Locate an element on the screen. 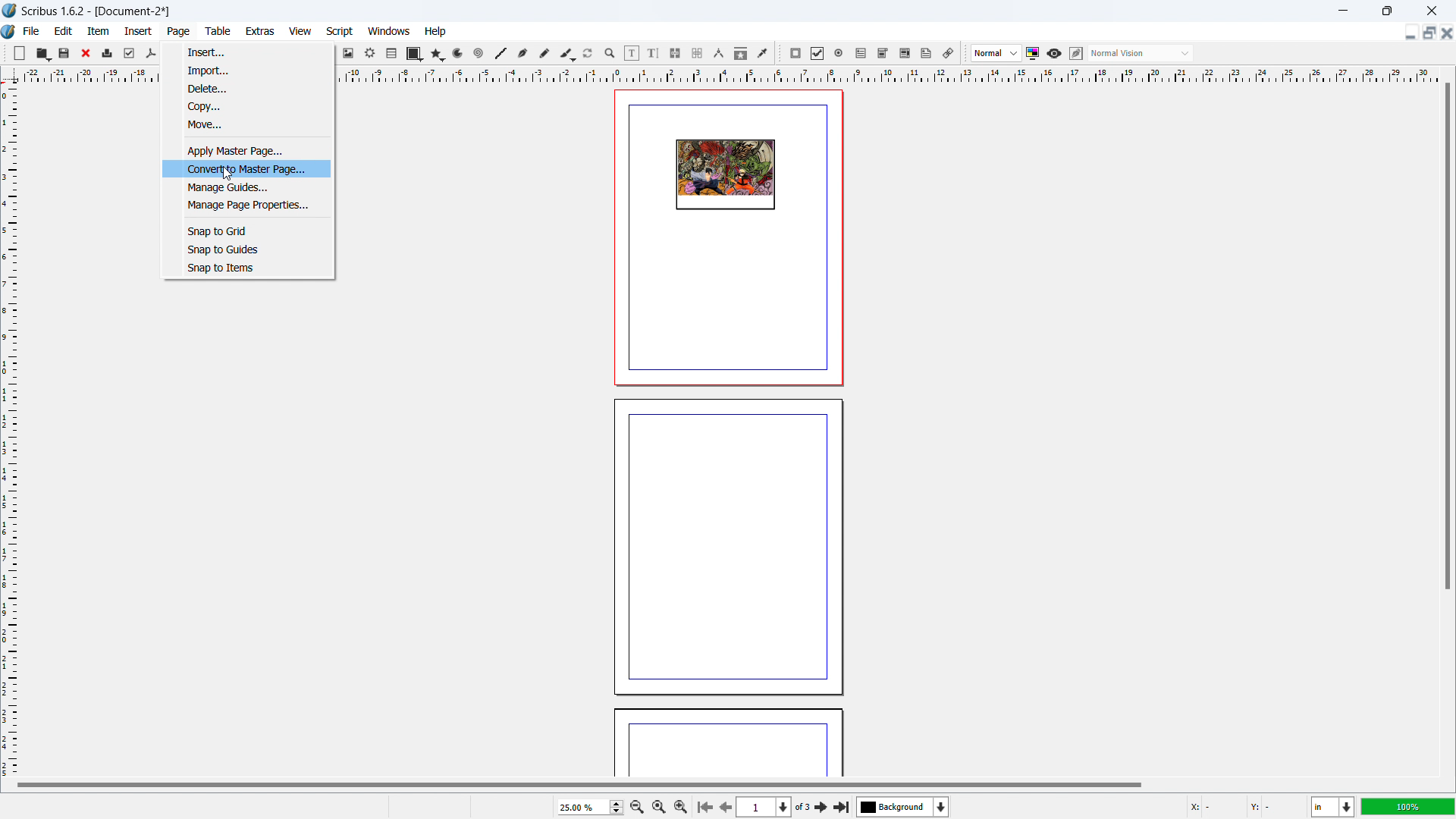 This screenshot has height=819, width=1456. convert to master page is located at coordinates (247, 168).